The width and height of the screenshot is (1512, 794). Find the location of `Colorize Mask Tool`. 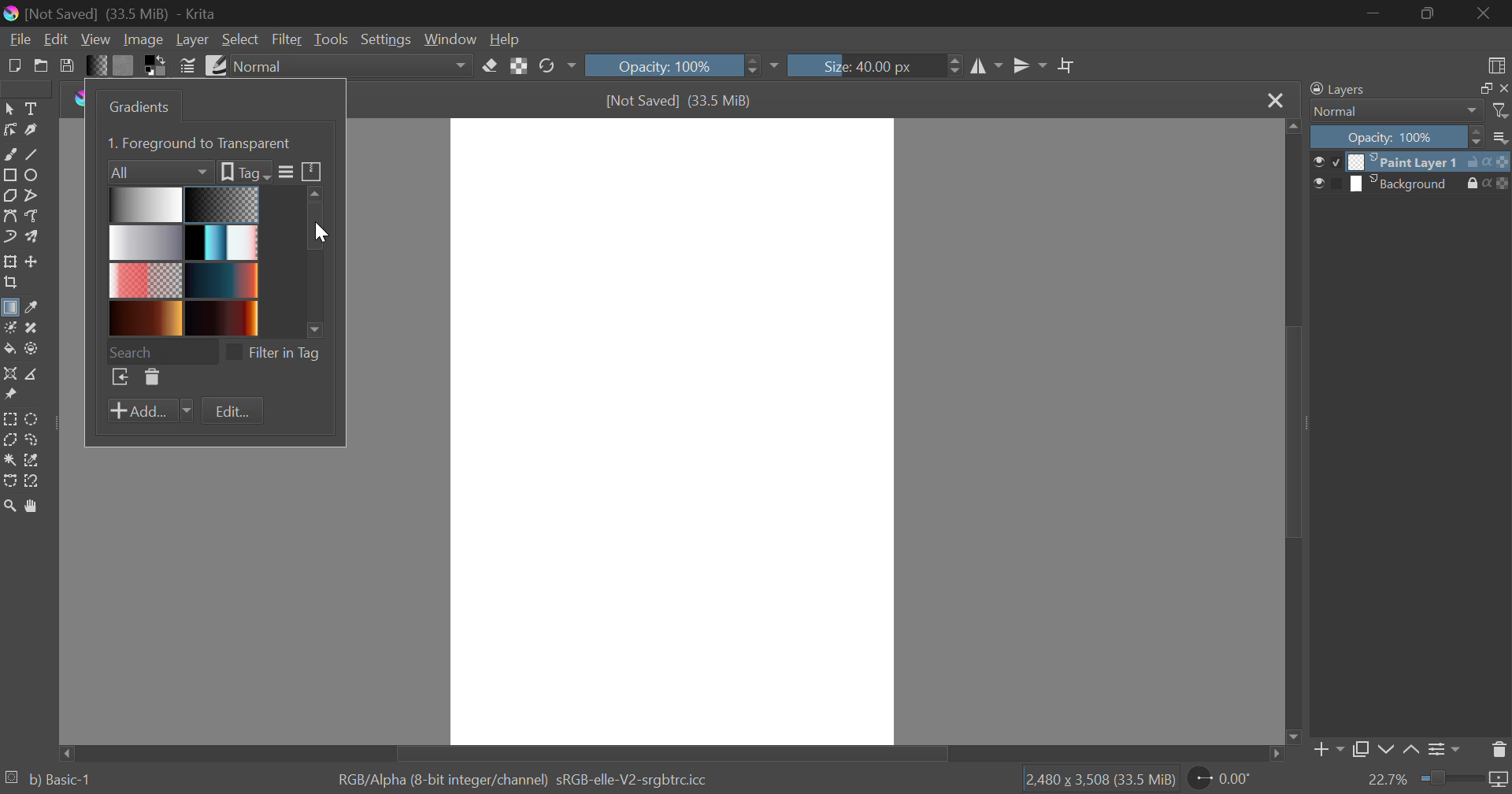

Colorize Mask Tool is located at coordinates (9, 328).